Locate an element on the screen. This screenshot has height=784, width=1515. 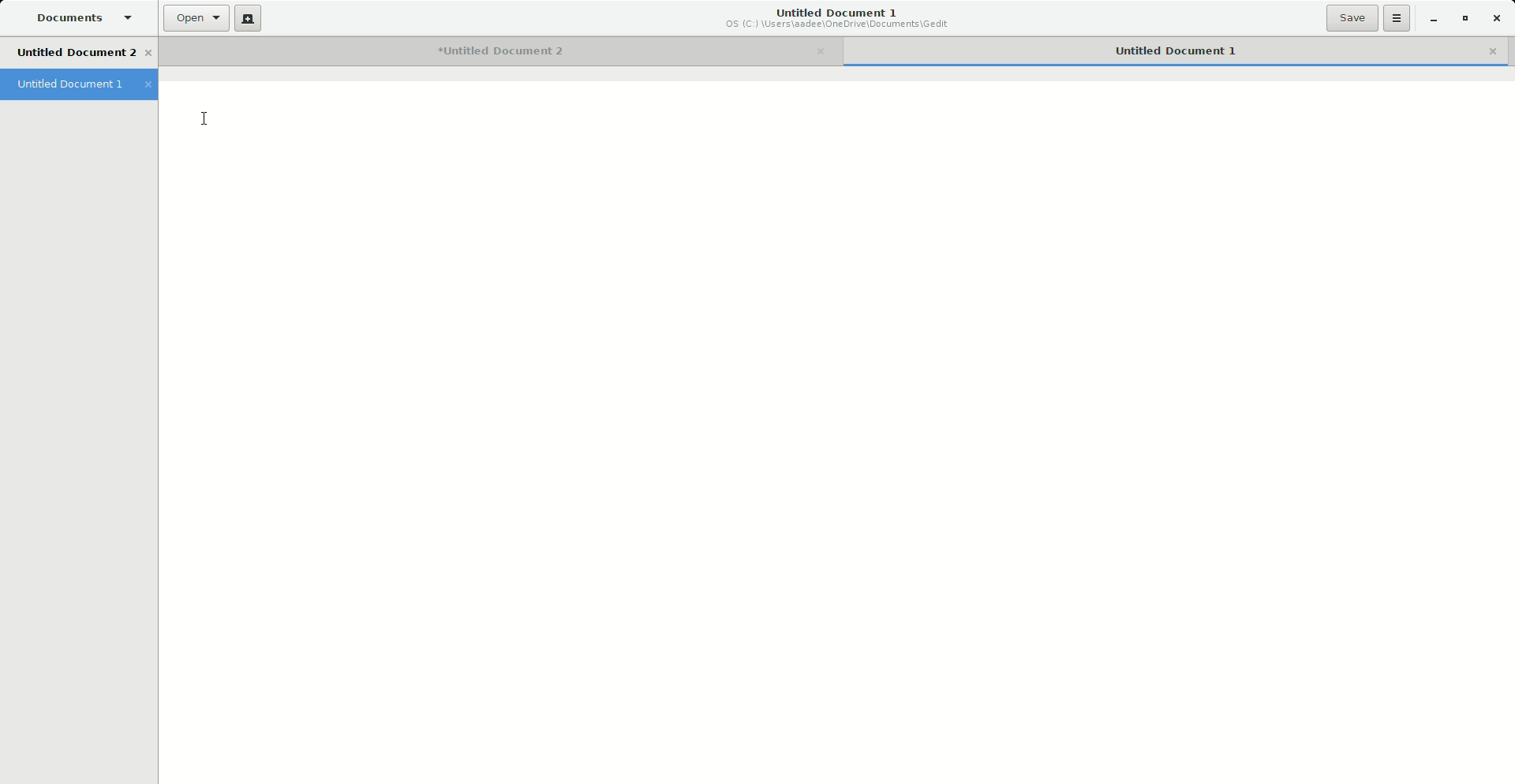
Cursor is located at coordinates (206, 119).